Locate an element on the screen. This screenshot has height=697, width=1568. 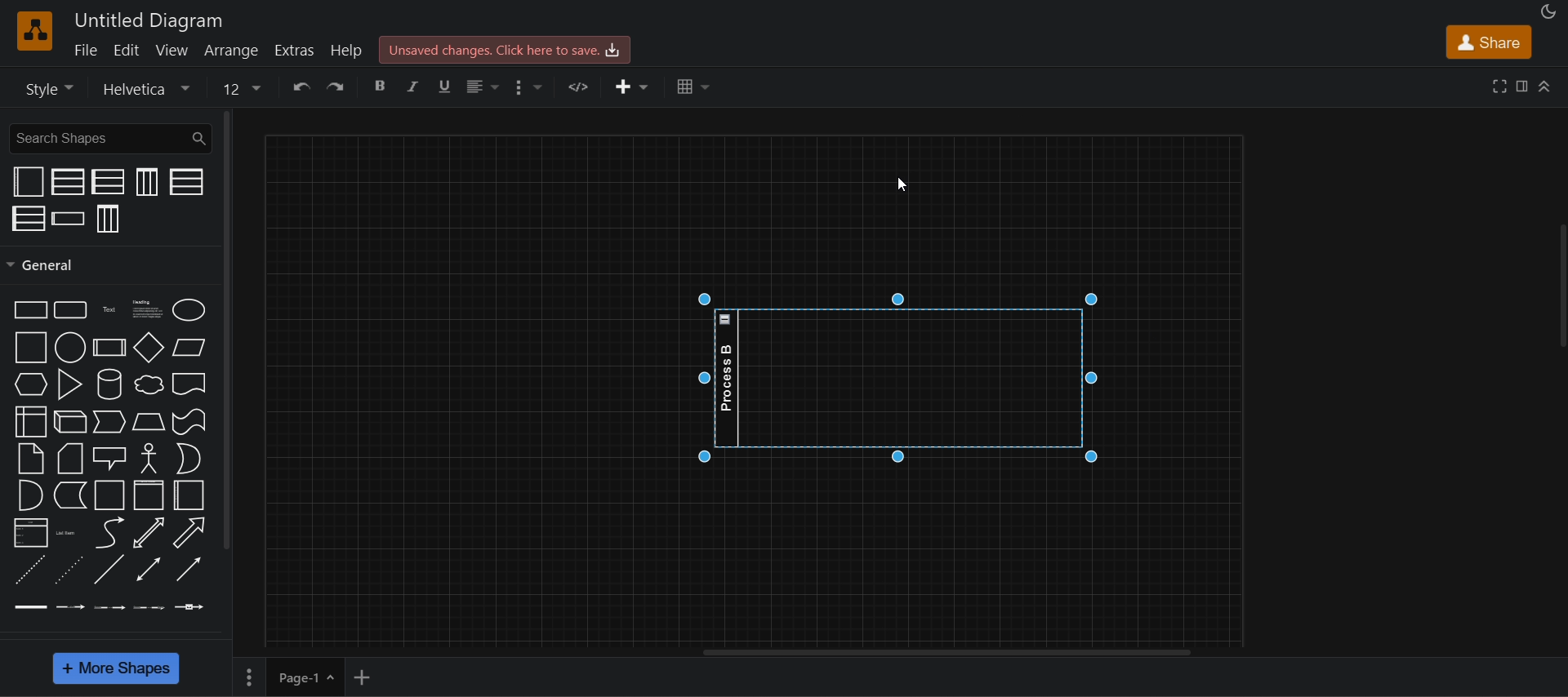
list item is located at coordinates (67, 534).